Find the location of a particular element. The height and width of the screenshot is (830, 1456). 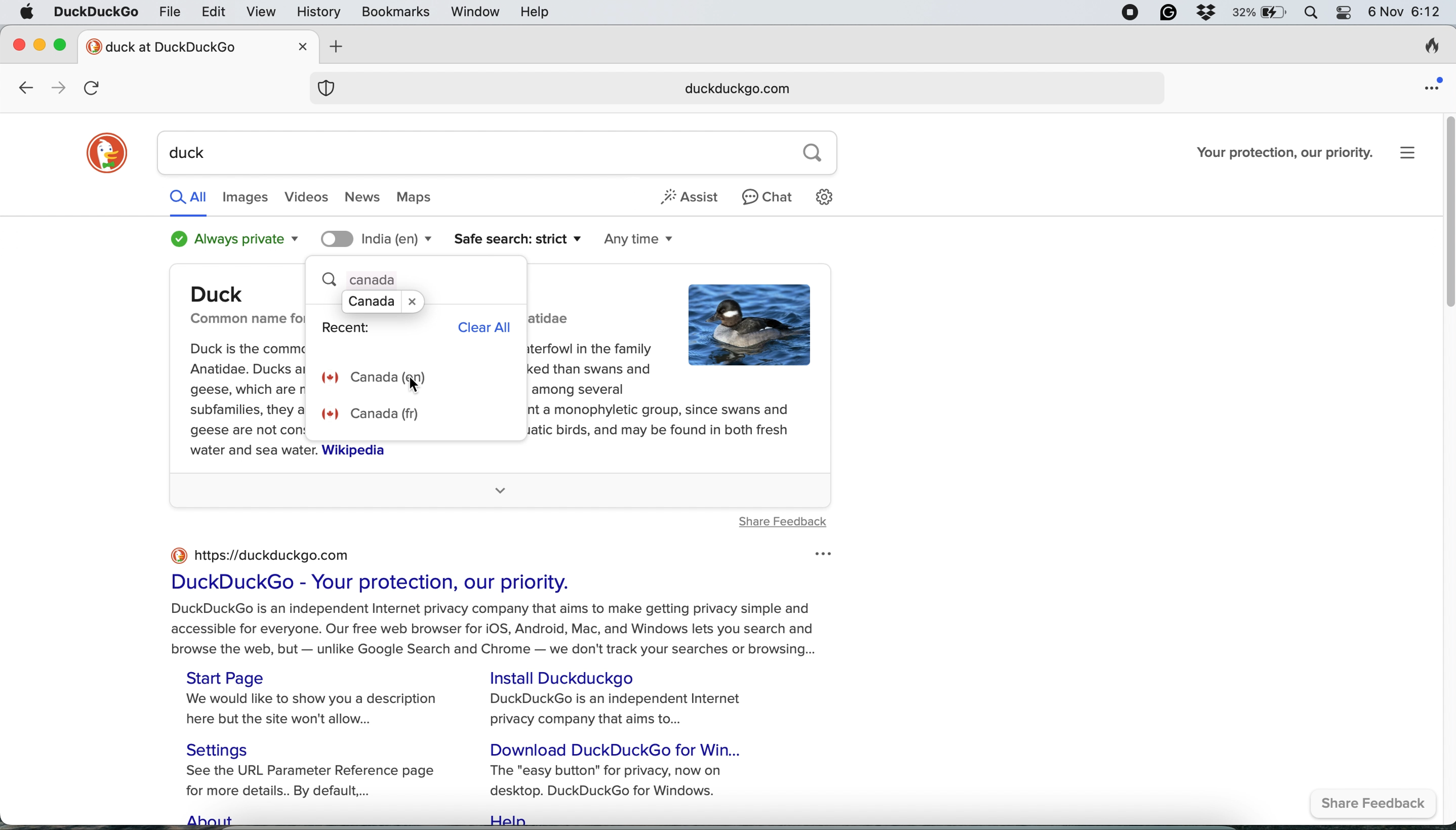

maps is located at coordinates (425, 198).